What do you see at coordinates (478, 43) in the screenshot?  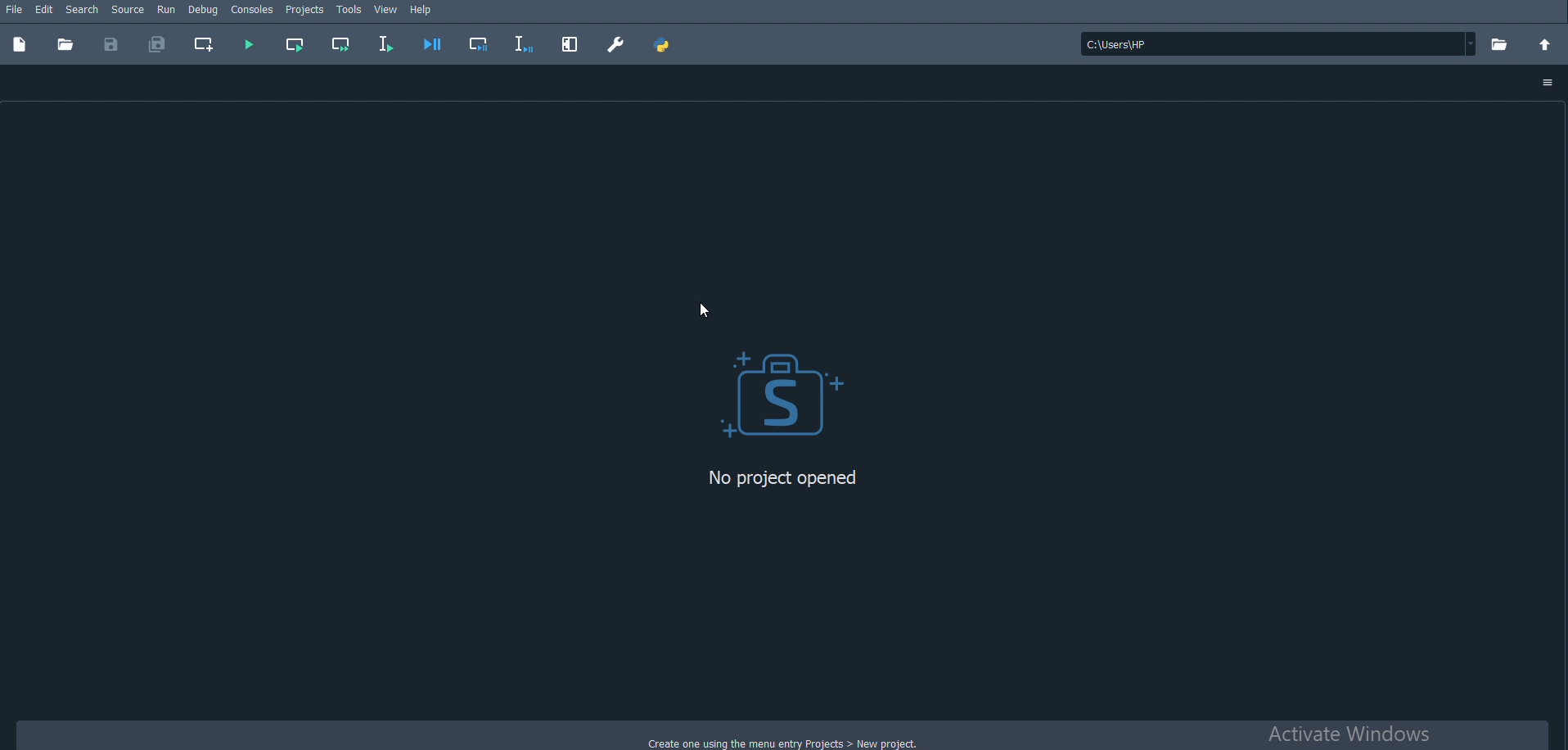 I see `Debug cell` at bounding box center [478, 43].